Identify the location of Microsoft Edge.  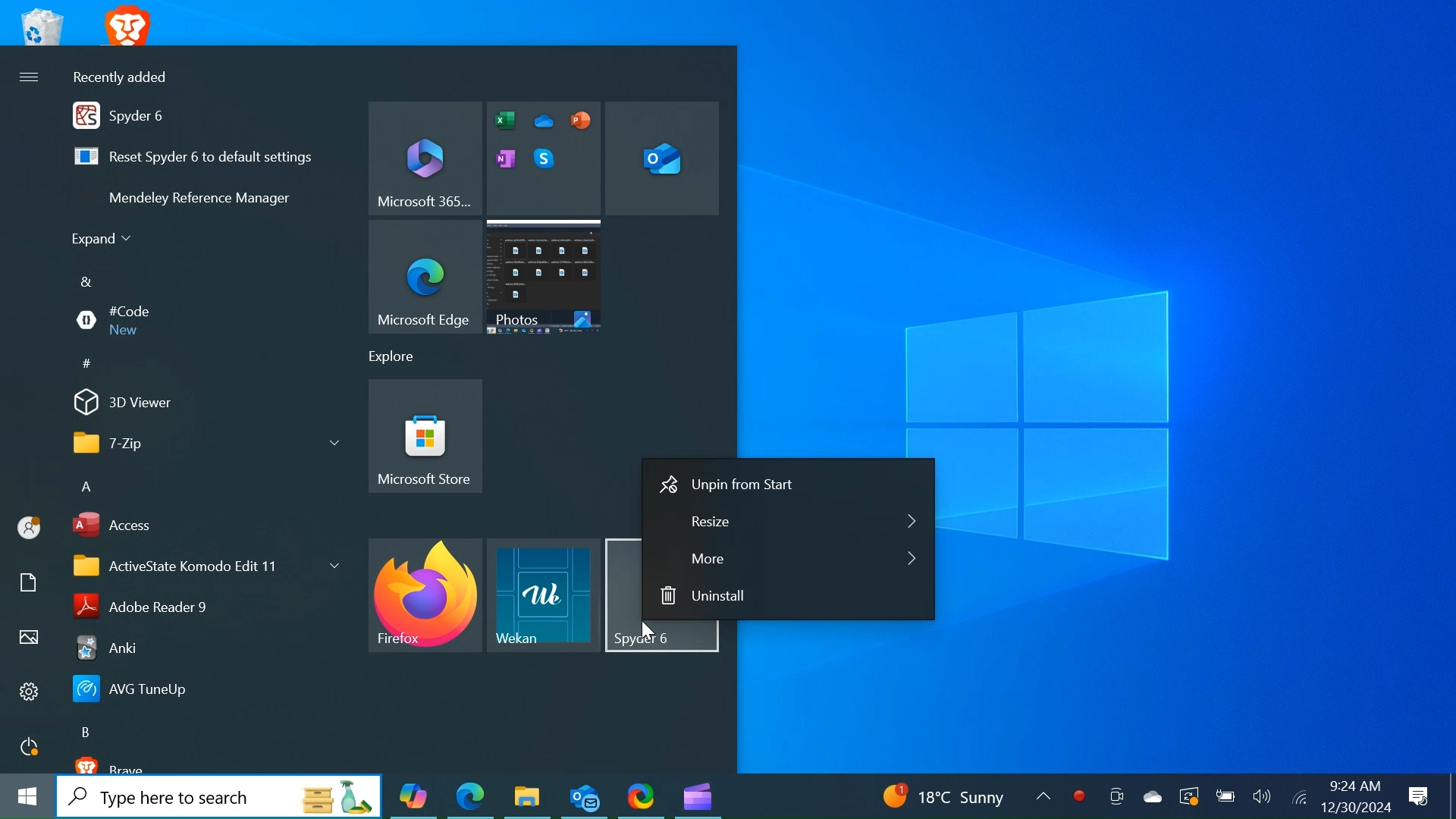
(470, 796).